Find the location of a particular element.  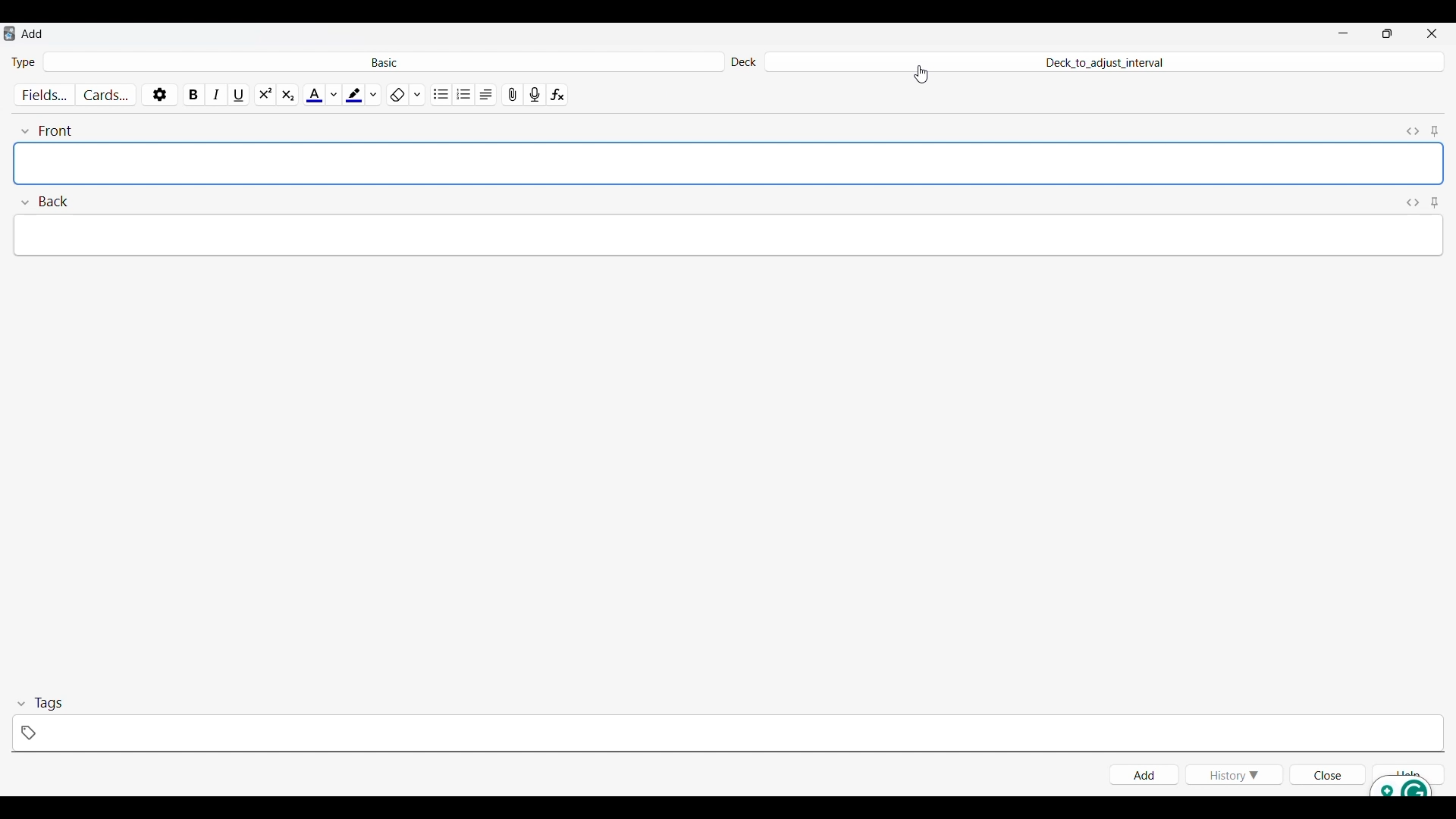

Show interface in smaller tab is located at coordinates (1388, 33).